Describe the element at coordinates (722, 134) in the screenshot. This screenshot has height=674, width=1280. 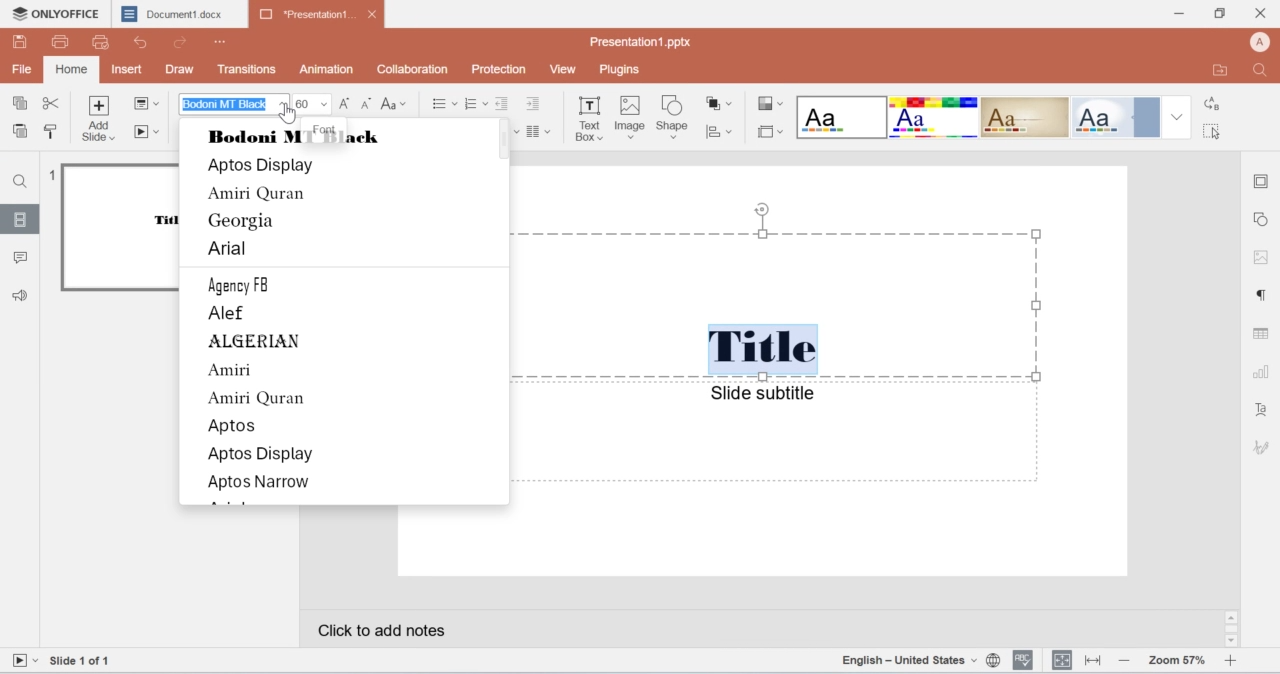
I see `graphs` at that location.